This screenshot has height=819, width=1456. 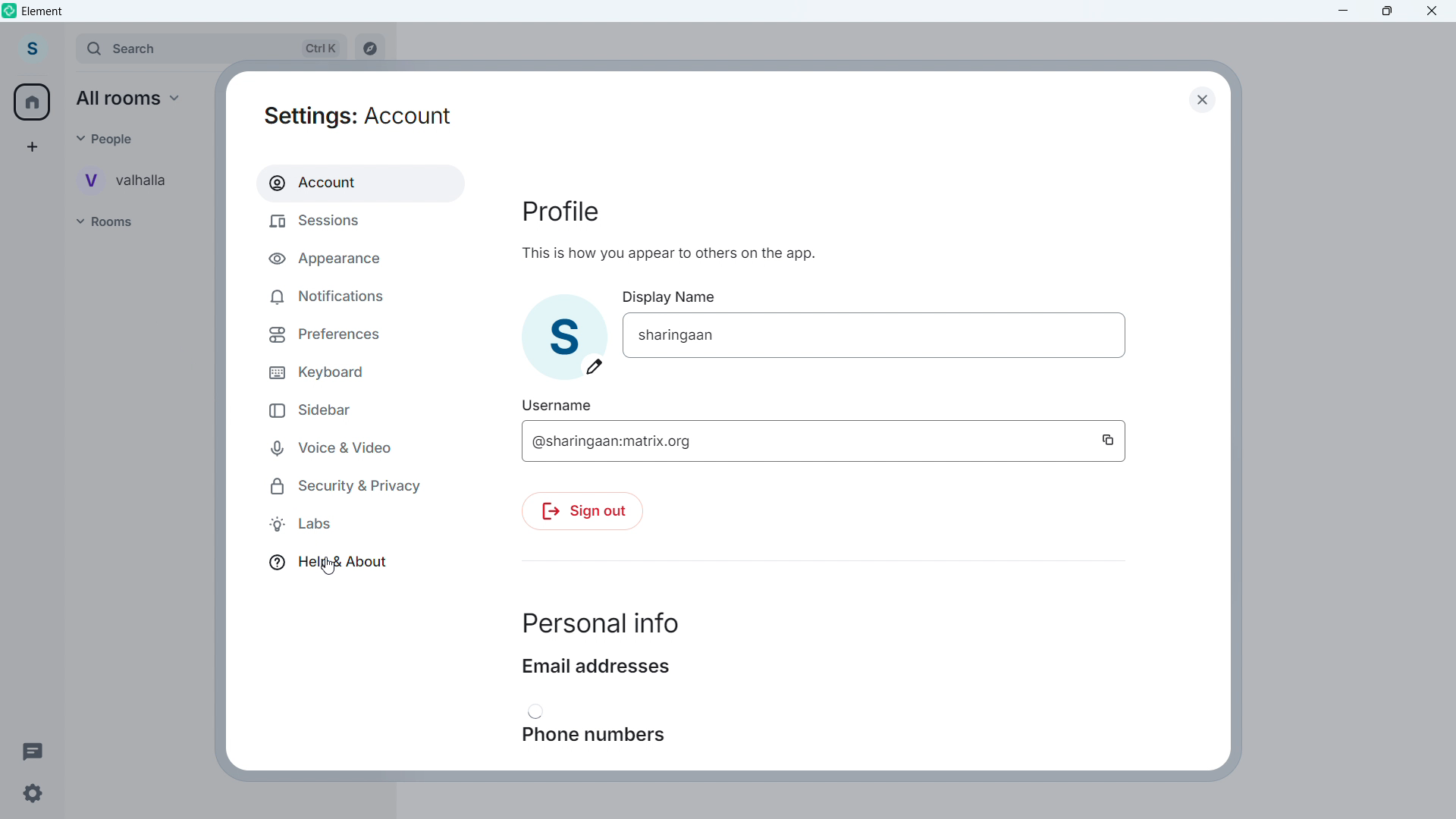 What do you see at coordinates (350, 183) in the screenshot?
I see `Account ` at bounding box center [350, 183].